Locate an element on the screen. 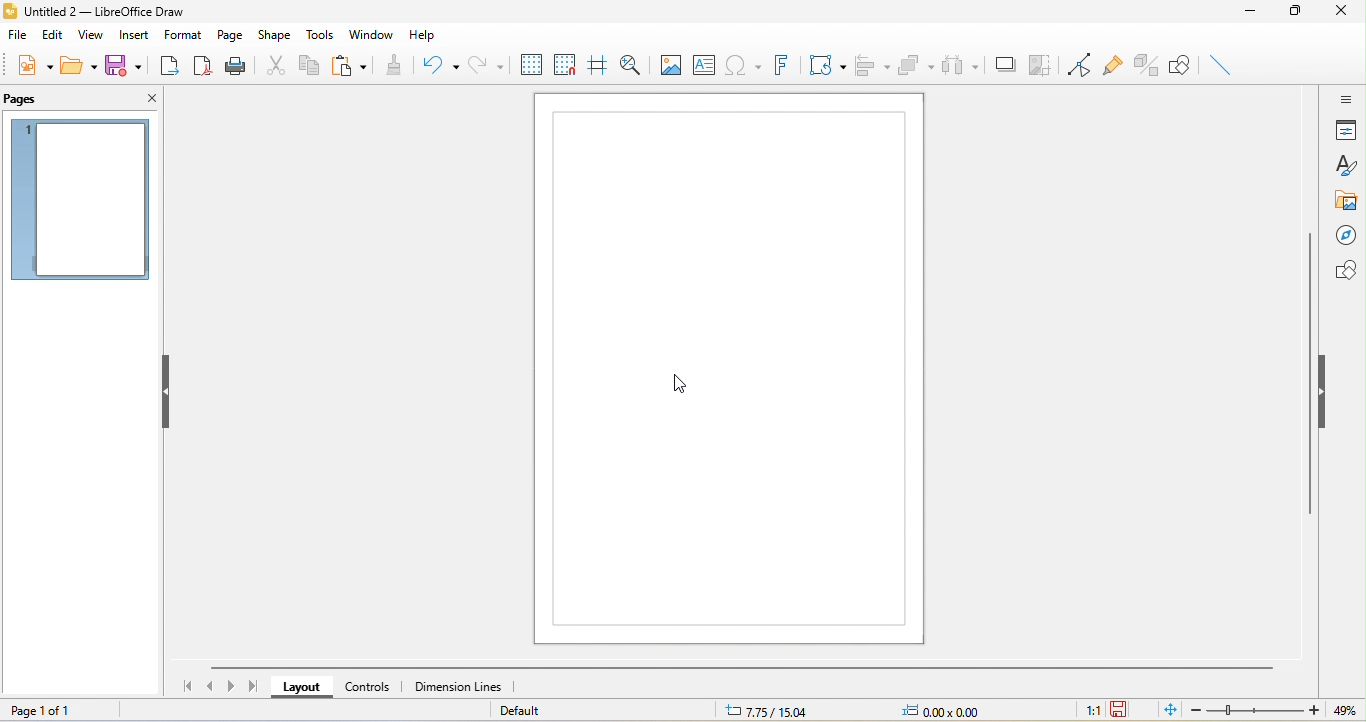  undo is located at coordinates (435, 66).